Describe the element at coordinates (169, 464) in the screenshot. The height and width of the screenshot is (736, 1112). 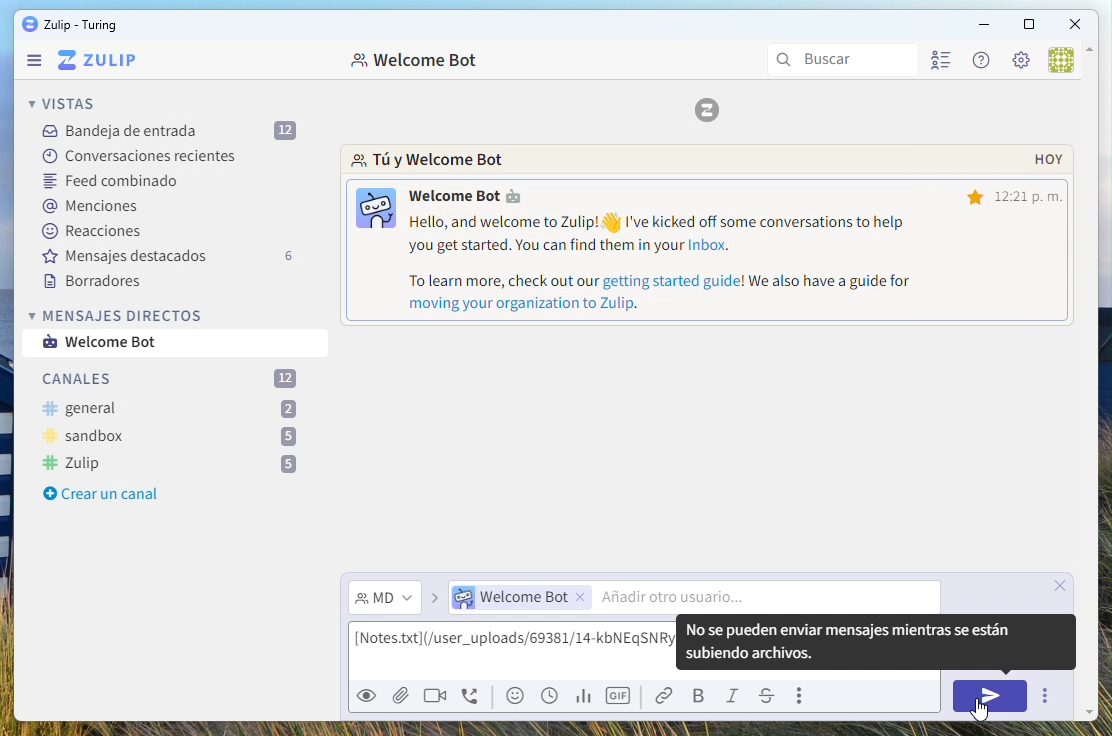
I see `Zulip` at that location.